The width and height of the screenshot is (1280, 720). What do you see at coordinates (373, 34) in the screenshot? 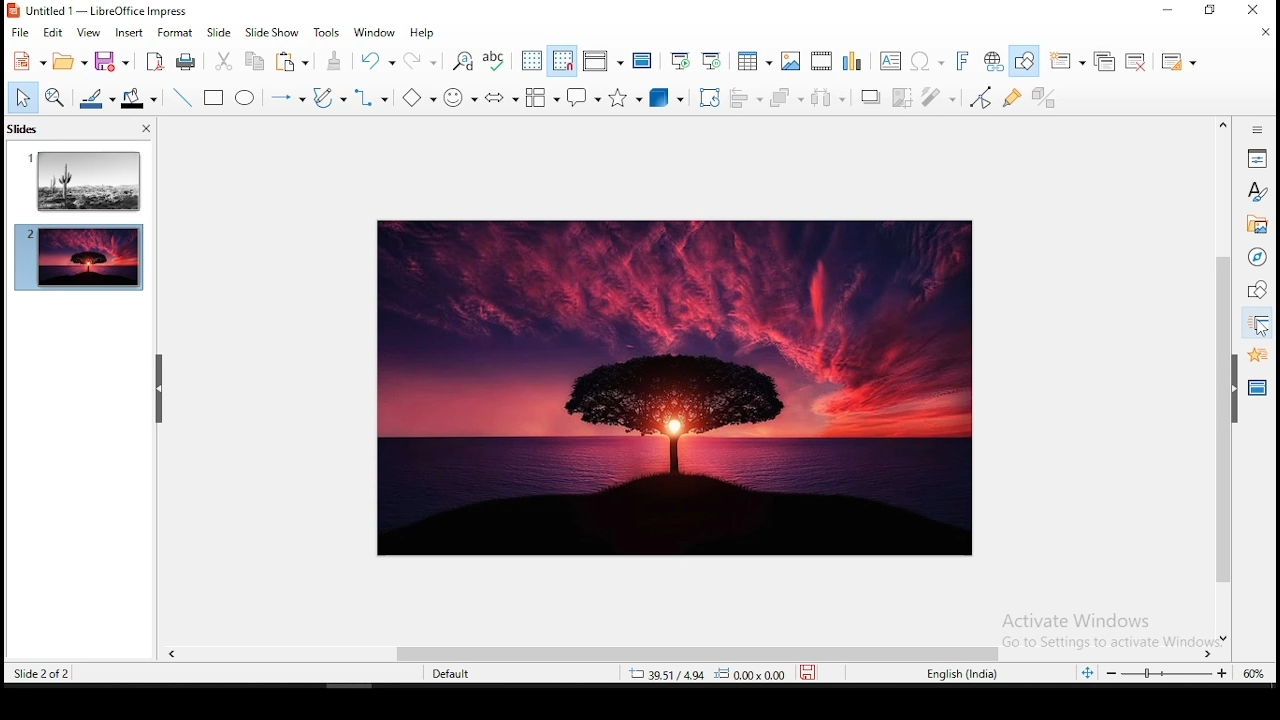
I see `window` at bounding box center [373, 34].